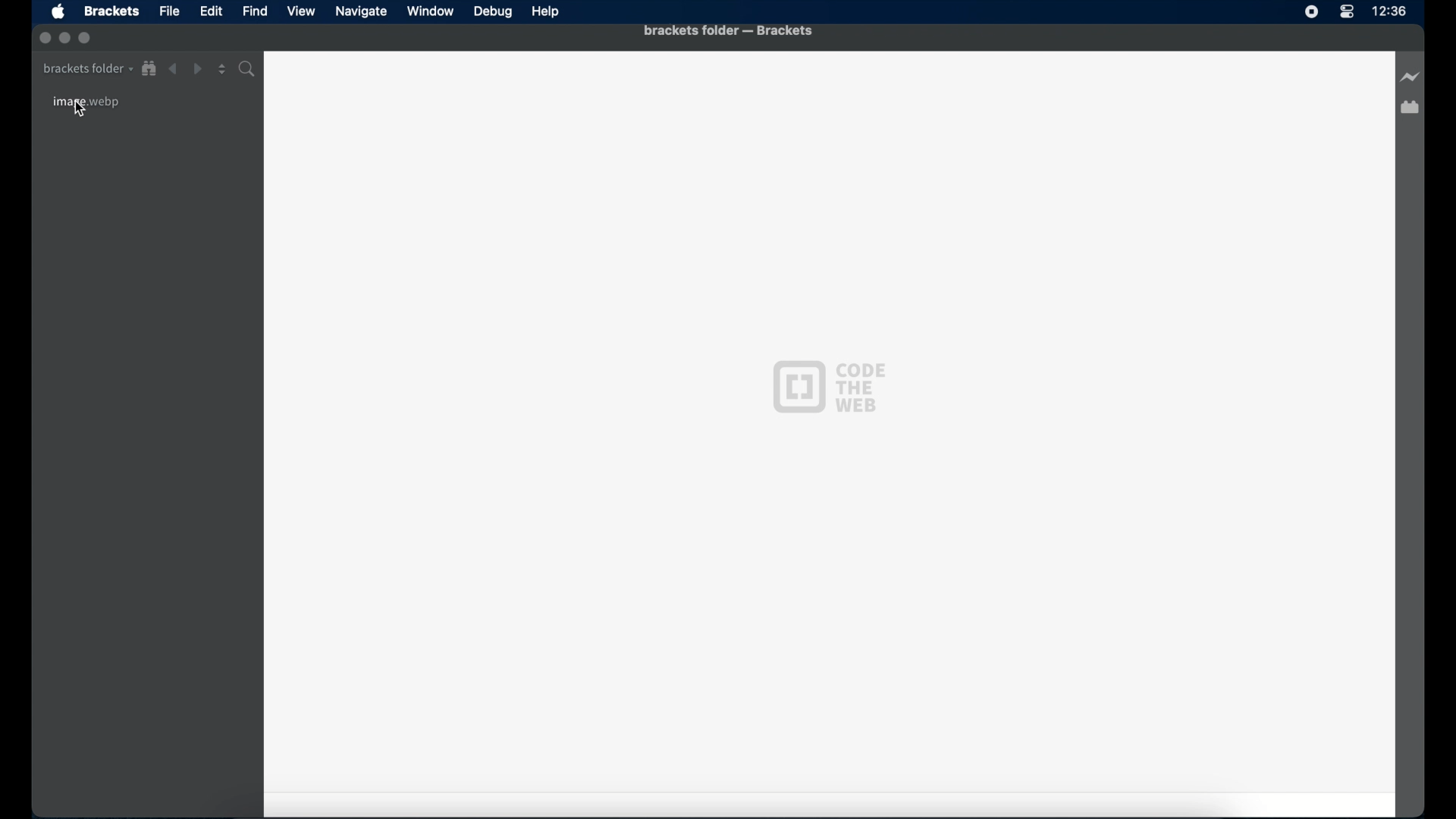 This screenshot has height=819, width=1456. Describe the element at coordinates (149, 69) in the screenshot. I see `show in file tree` at that location.